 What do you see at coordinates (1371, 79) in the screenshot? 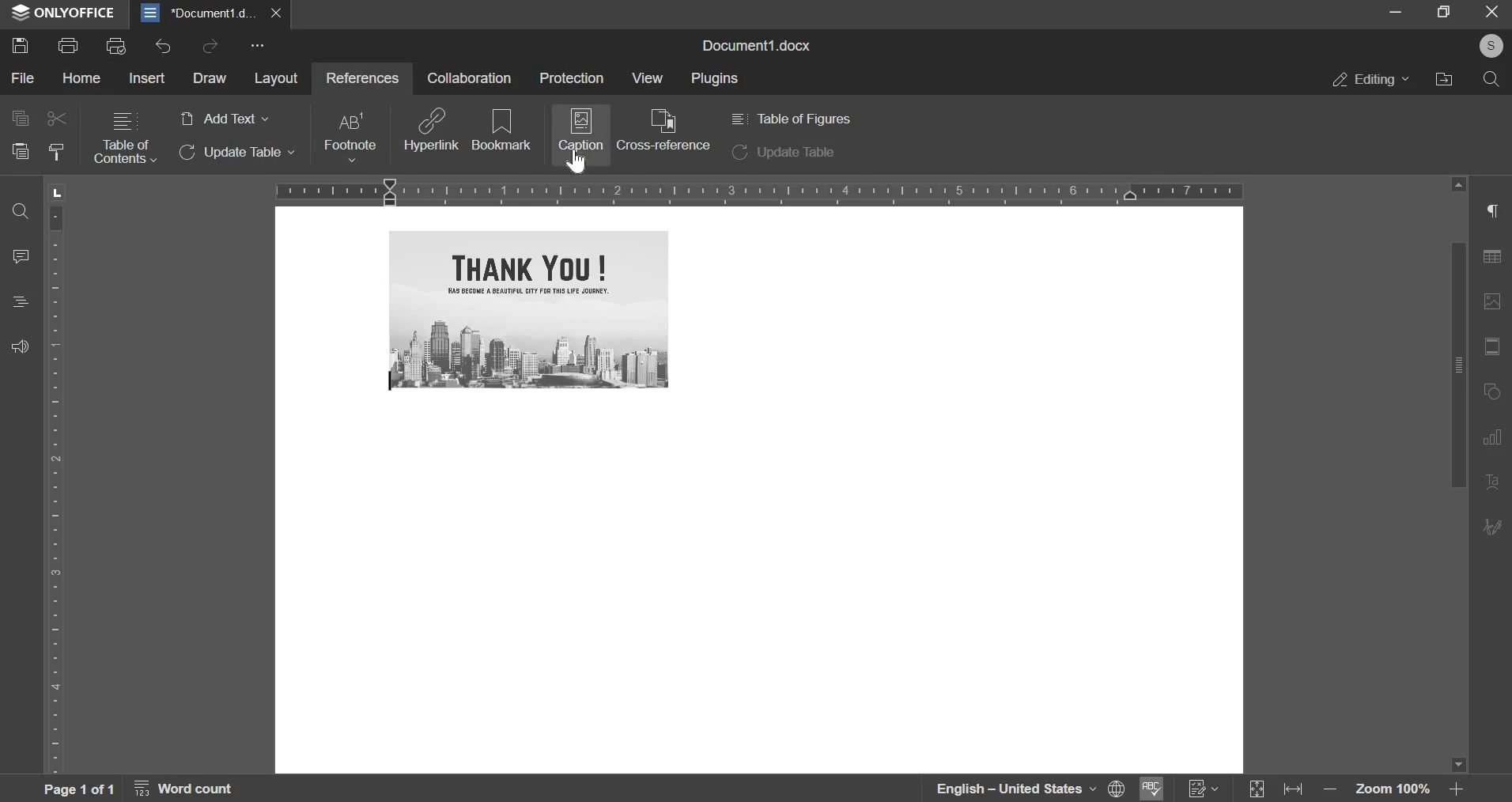
I see `editing` at bounding box center [1371, 79].